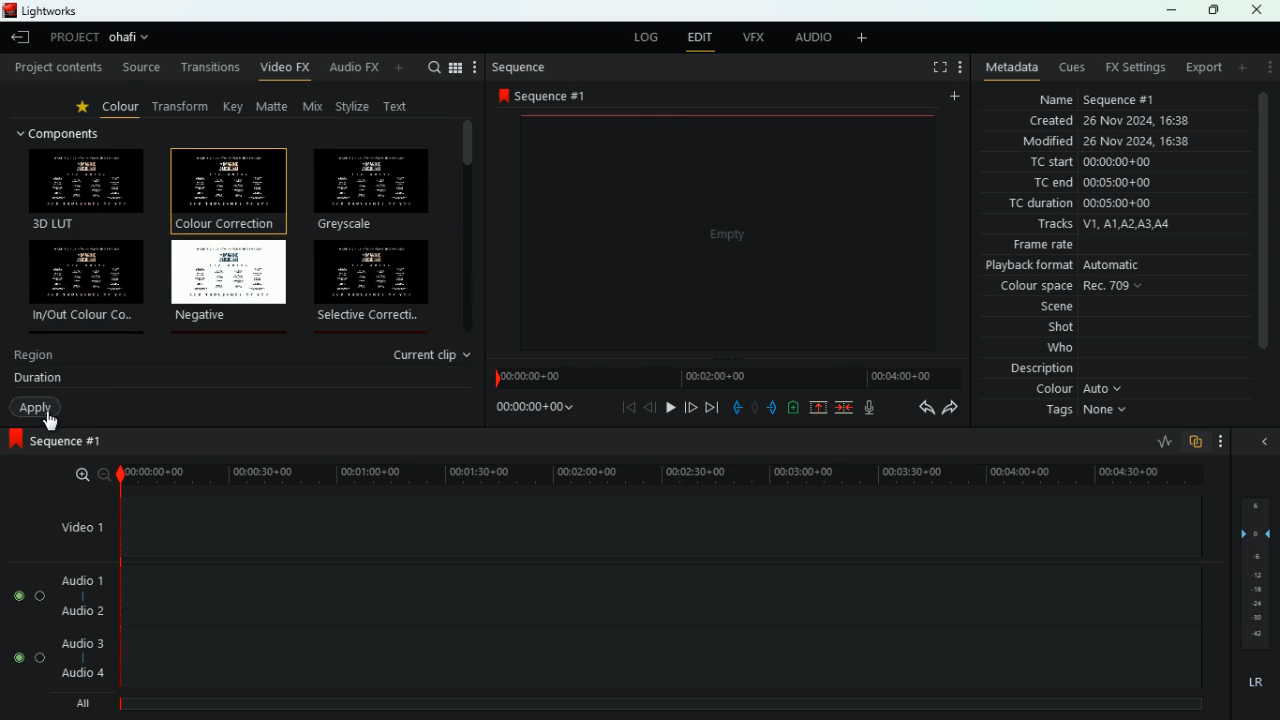 Image resolution: width=1280 pixels, height=720 pixels. What do you see at coordinates (370, 190) in the screenshot?
I see `greyscale` at bounding box center [370, 190].